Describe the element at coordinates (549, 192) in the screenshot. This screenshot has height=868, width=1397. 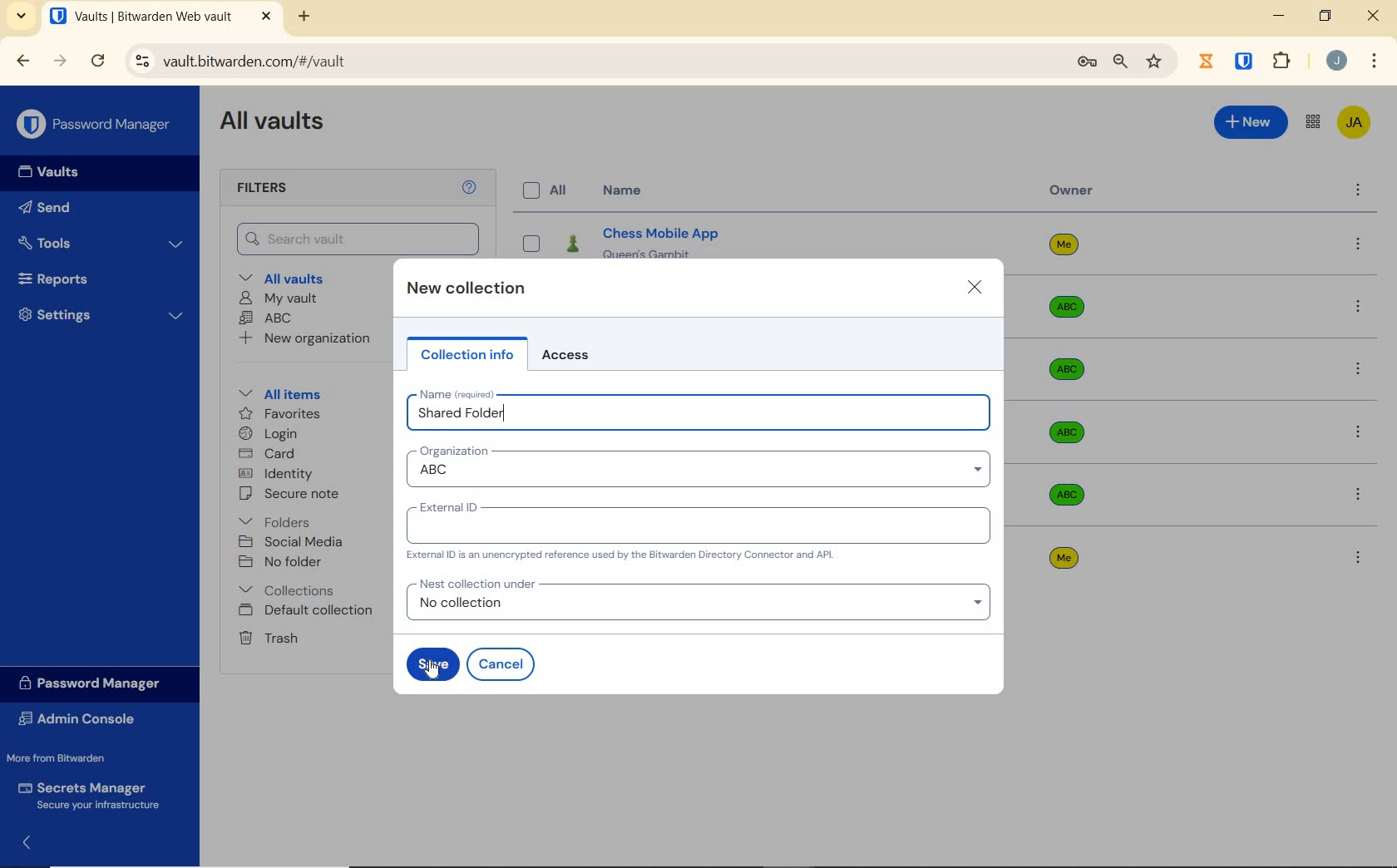
I see `All` at that location.